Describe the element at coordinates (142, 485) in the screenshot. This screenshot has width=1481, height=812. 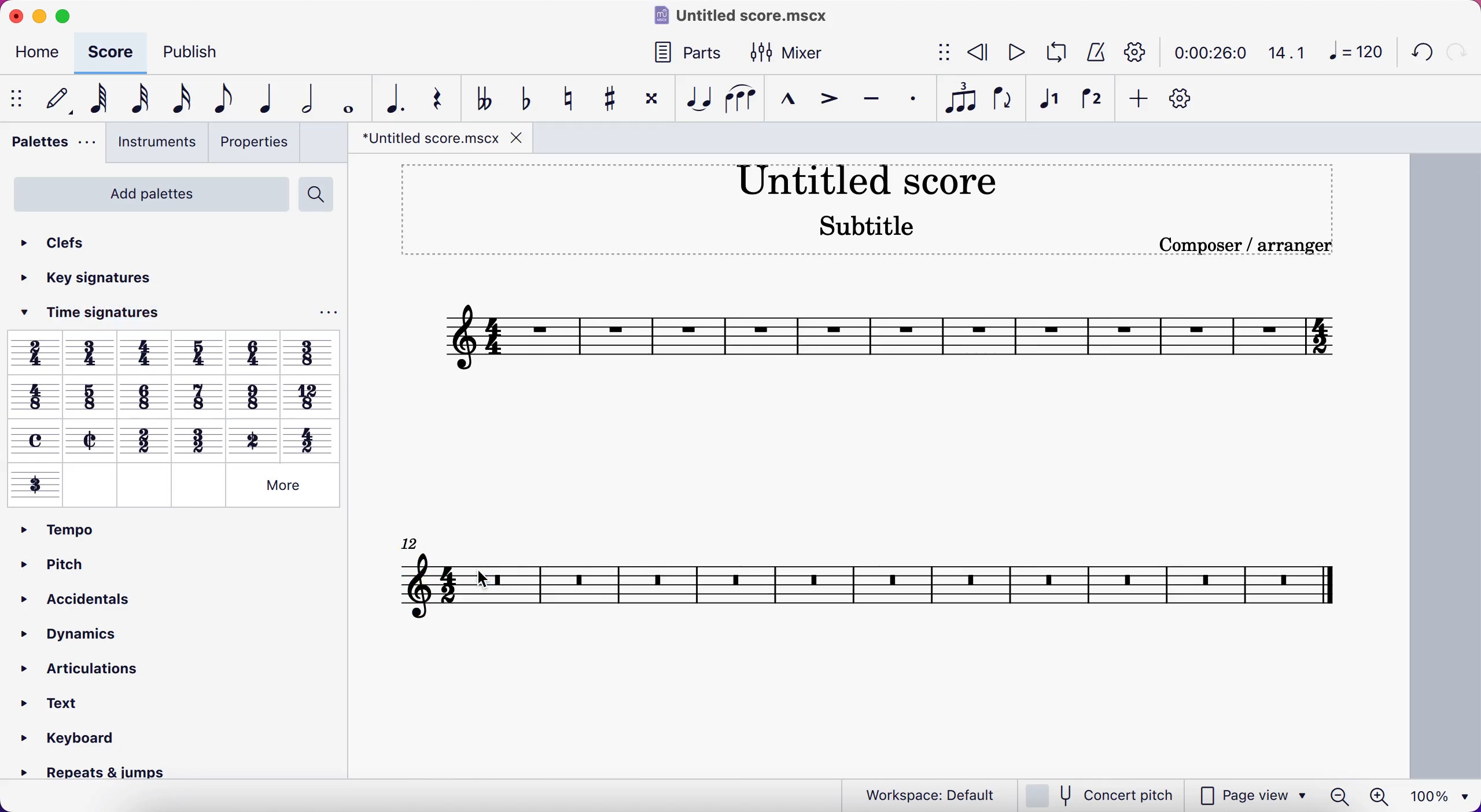
I see `` at that location.